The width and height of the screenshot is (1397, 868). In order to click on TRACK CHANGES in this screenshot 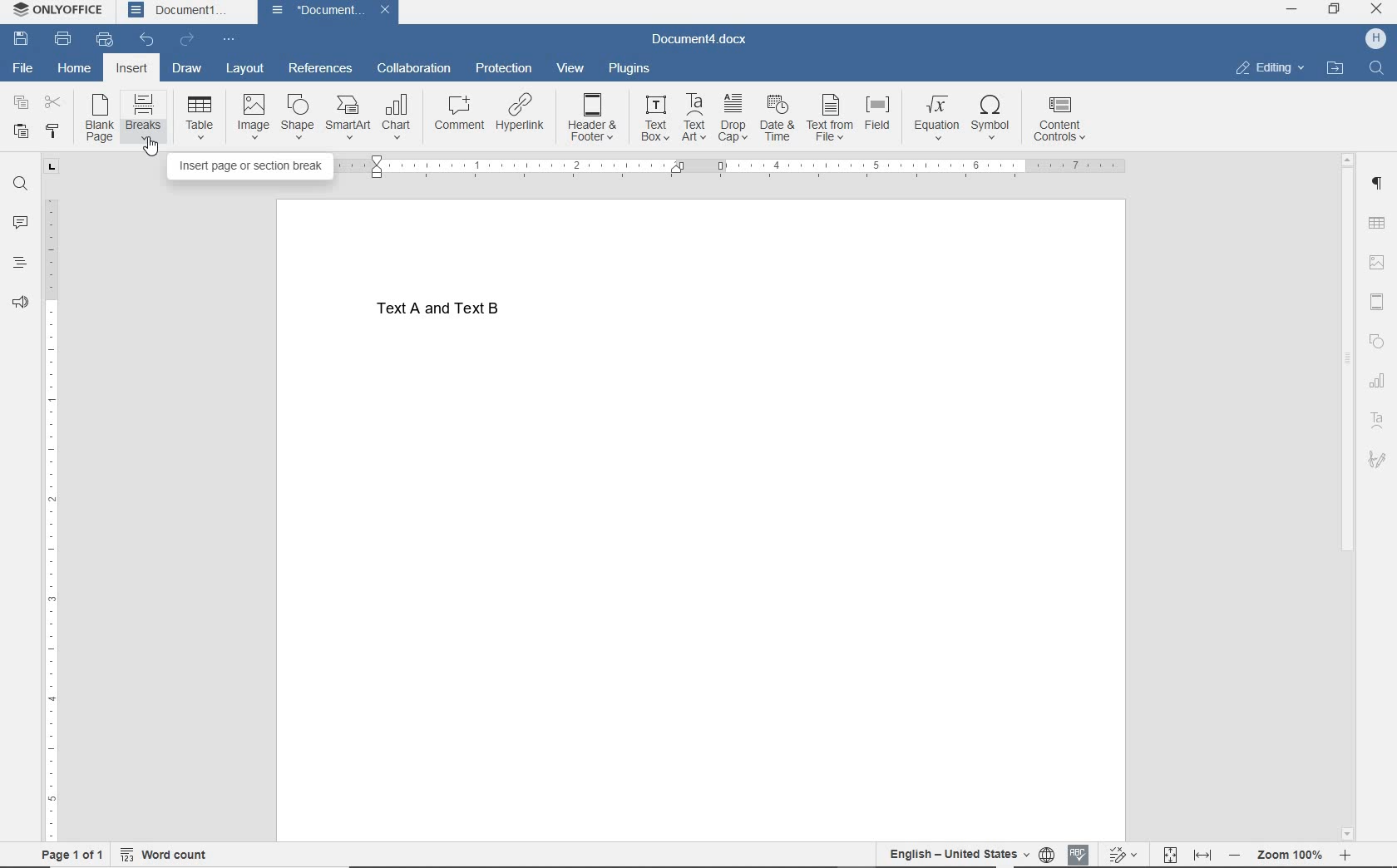, I will do `click(1122, 854)`.